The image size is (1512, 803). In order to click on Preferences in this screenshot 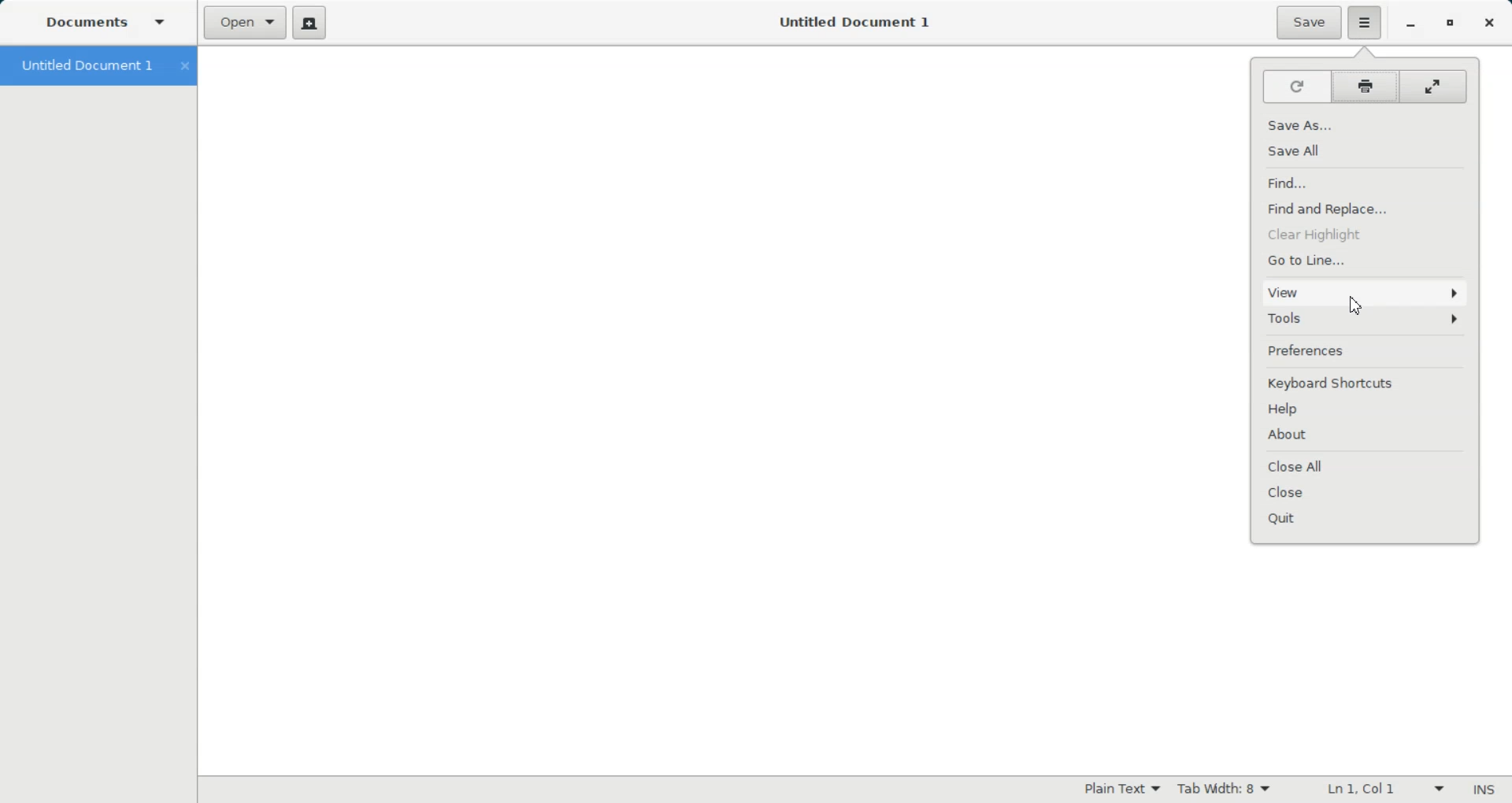, I will do `click(1363, 350)`.